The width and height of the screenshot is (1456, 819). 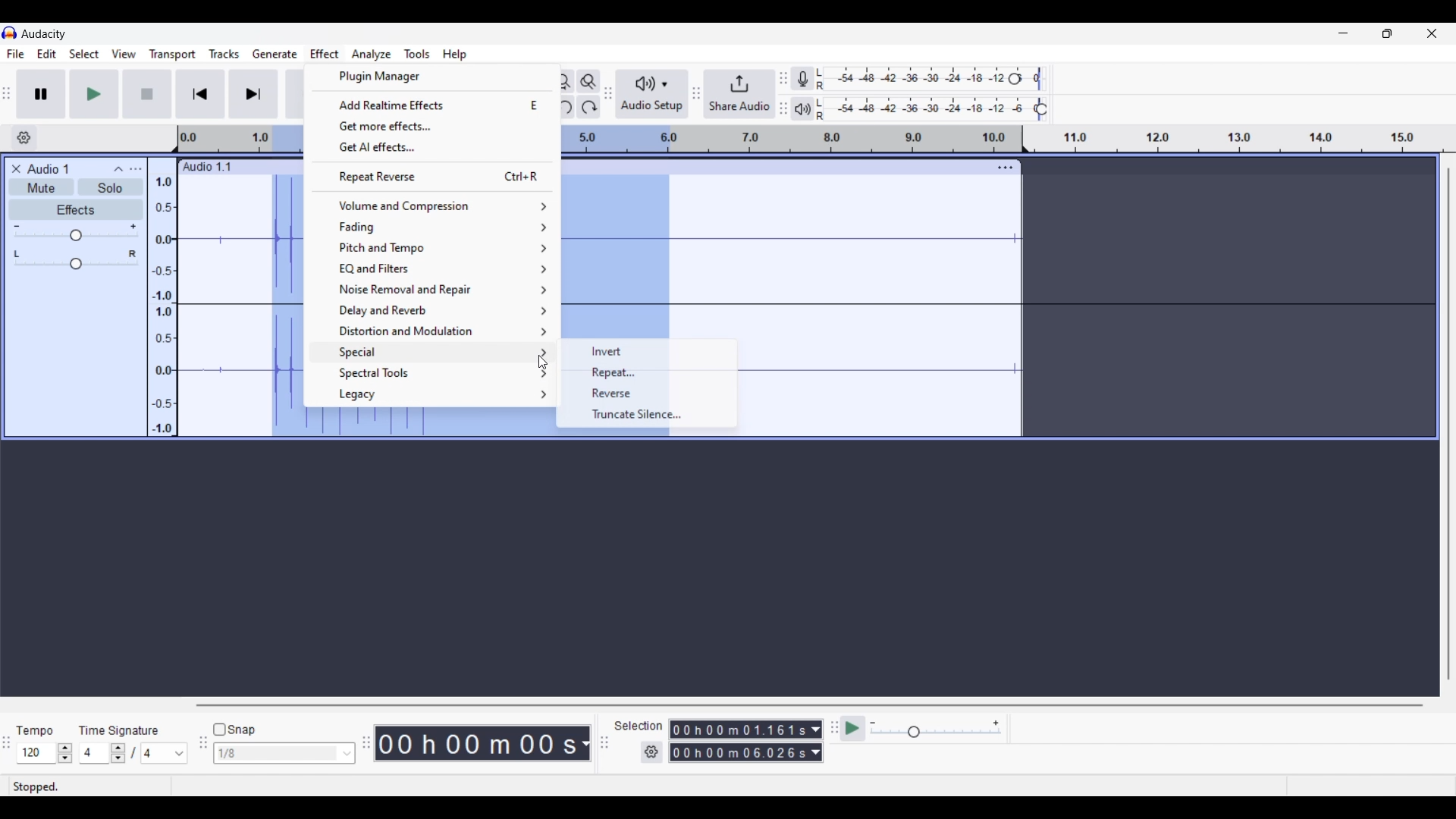 I want to click on Repeat Reverse, so click(x=431, y=176).